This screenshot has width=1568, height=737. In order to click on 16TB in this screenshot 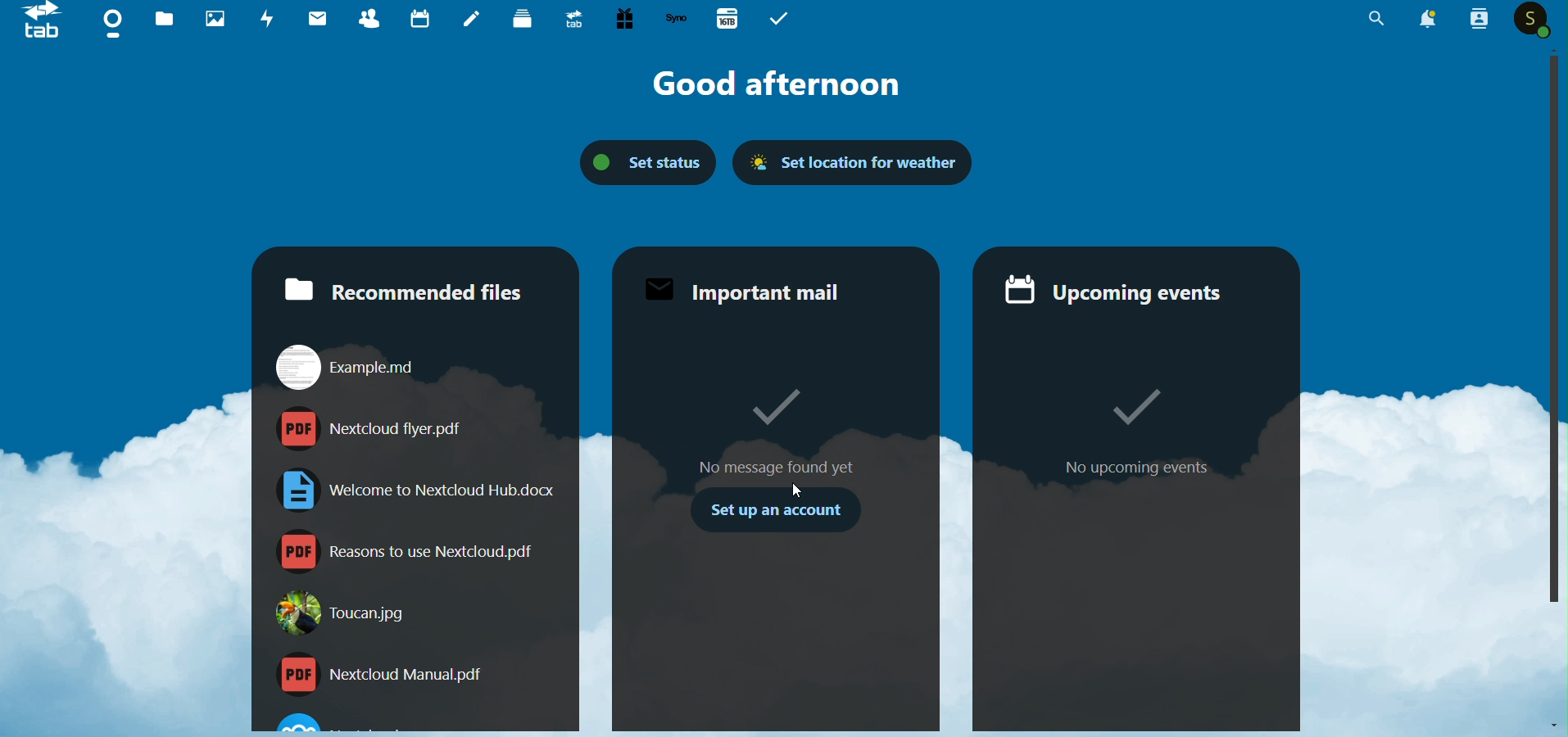, I will do `click(724, 18)`.